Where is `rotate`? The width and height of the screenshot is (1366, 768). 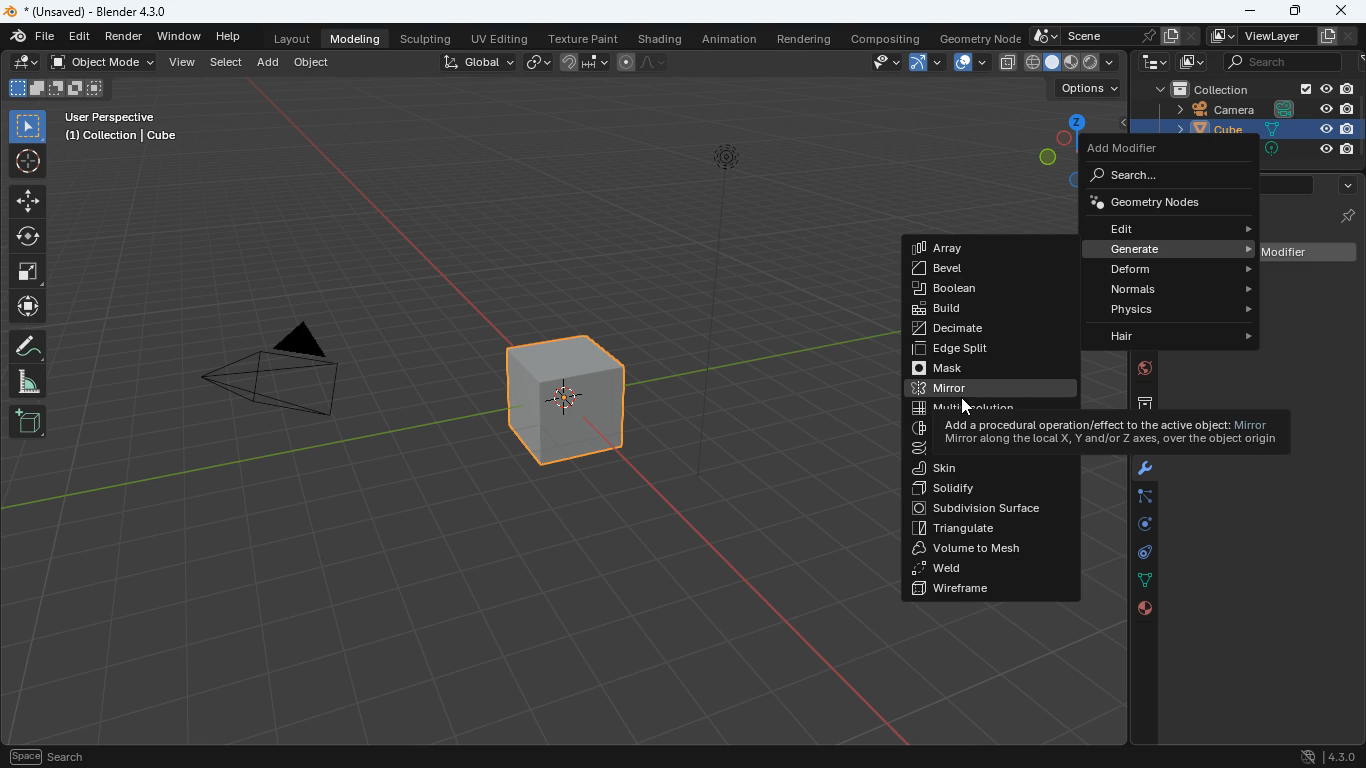 rotate is located at coordinates (27, 239).